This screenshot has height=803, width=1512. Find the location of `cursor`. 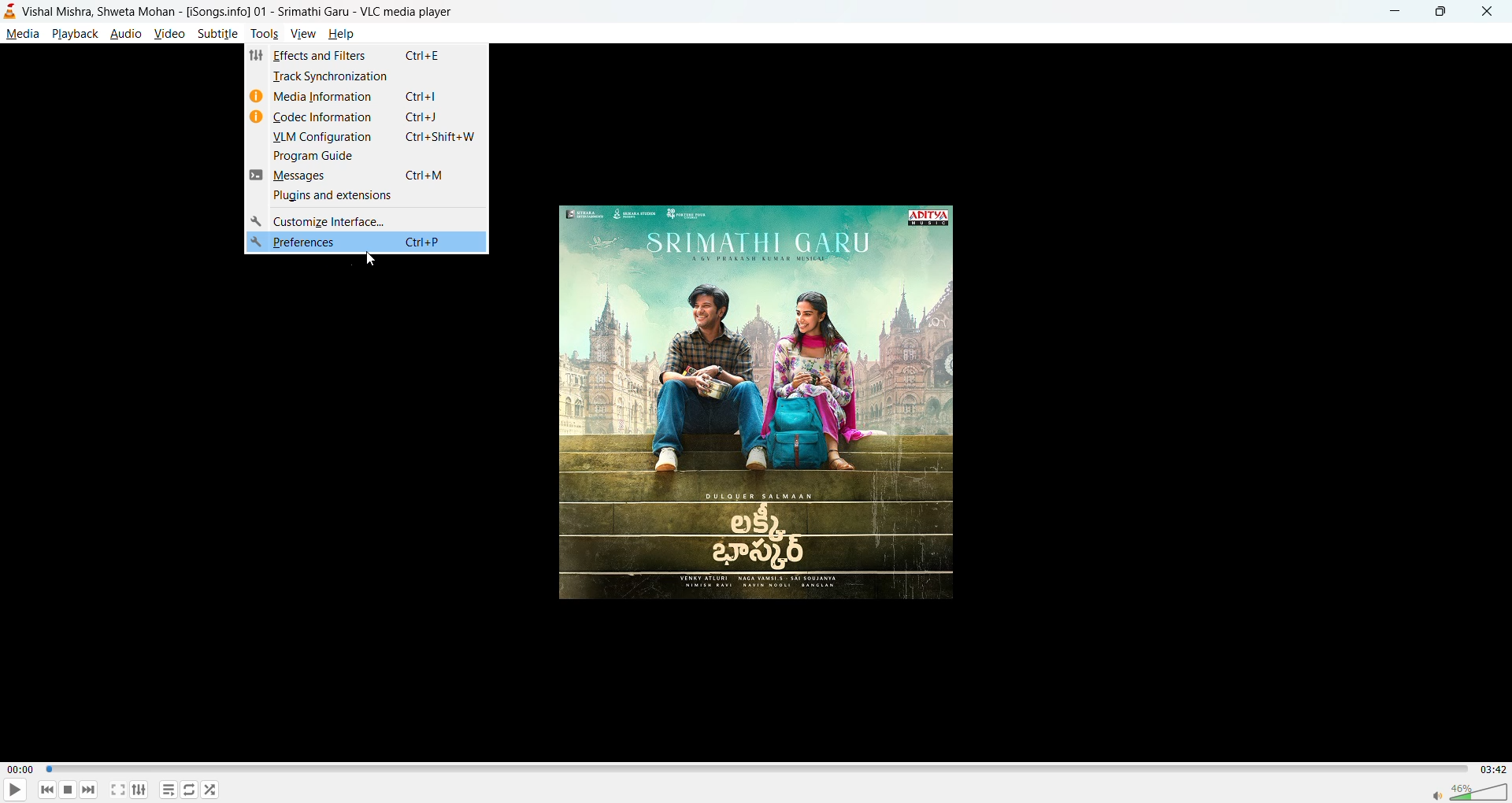

cursor is located at coordinates (373, 257).